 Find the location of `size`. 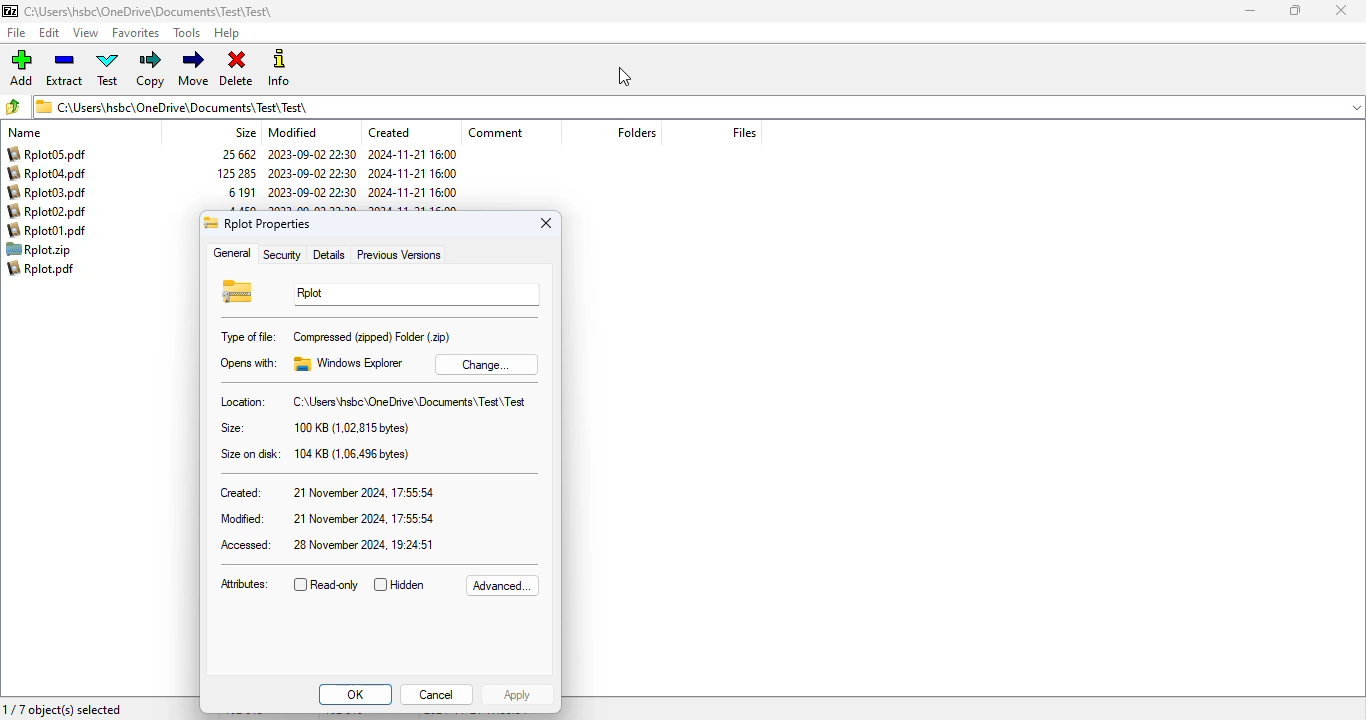

size is located at coordinates (236, 175).